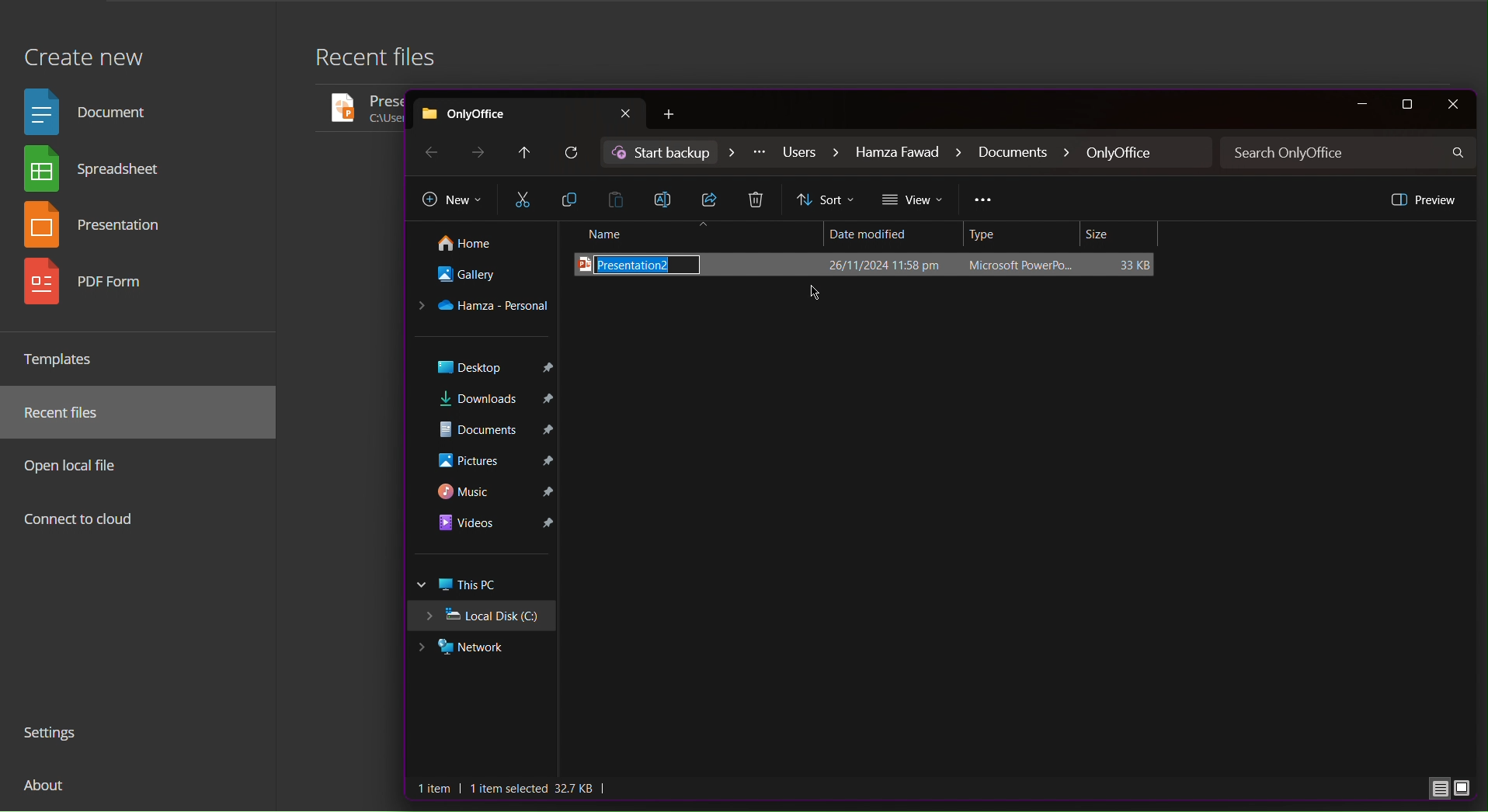  What do you see at coordinates (523, 200) in the screenshot?
I see `Cut` at bounding box center [523, 200].